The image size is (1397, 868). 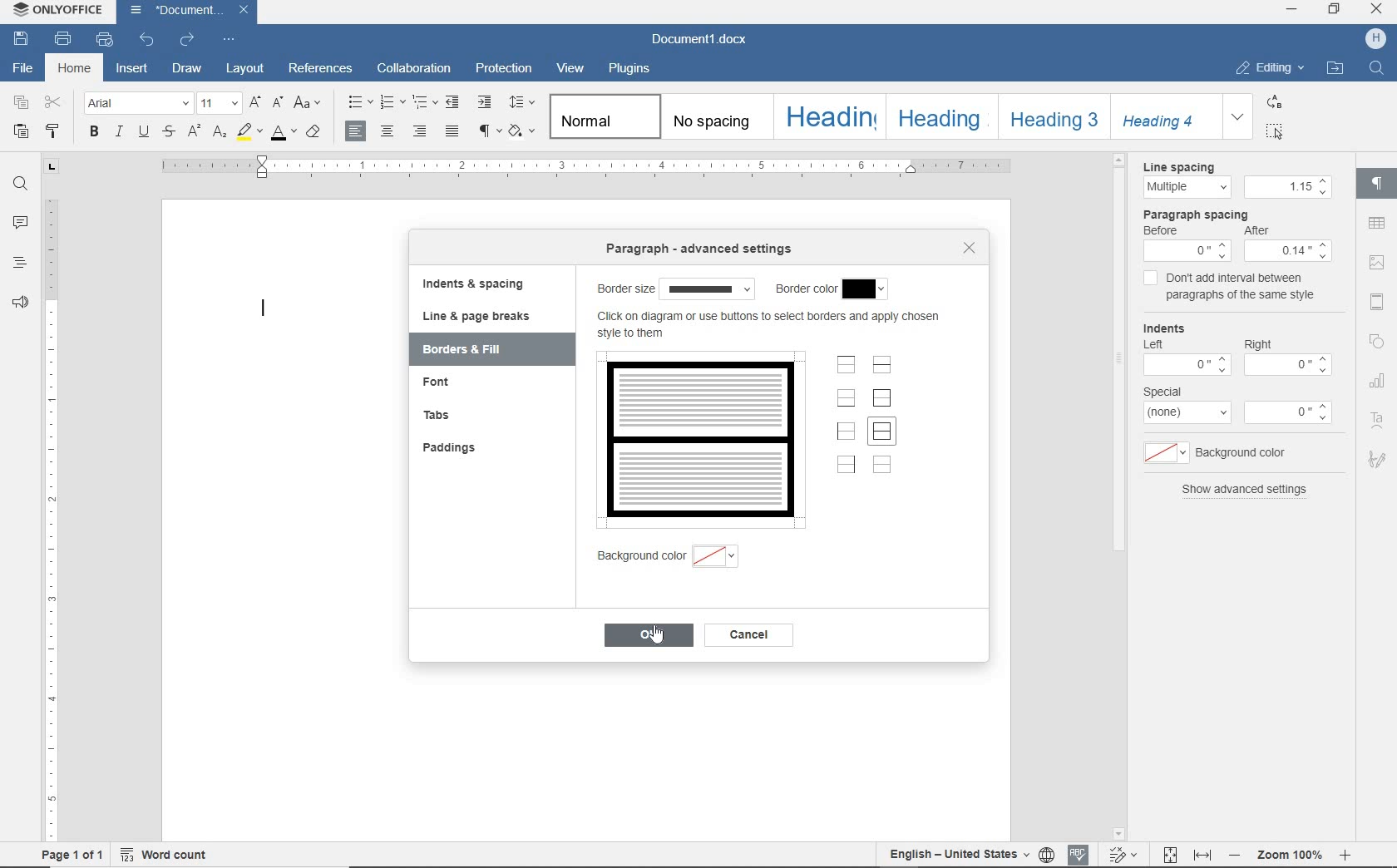 I want to click on close, so click(x=969, y=246).